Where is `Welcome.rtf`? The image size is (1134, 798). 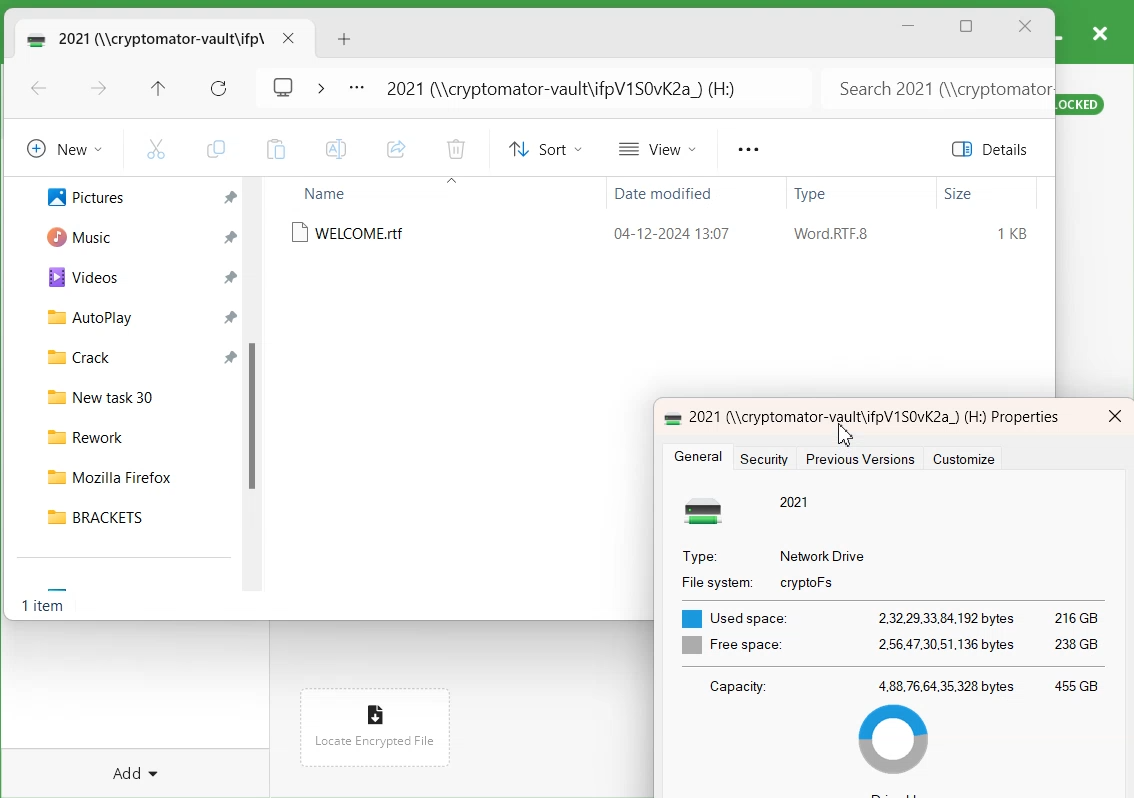 Welcome.rtf is located at coordinates (353, 233).